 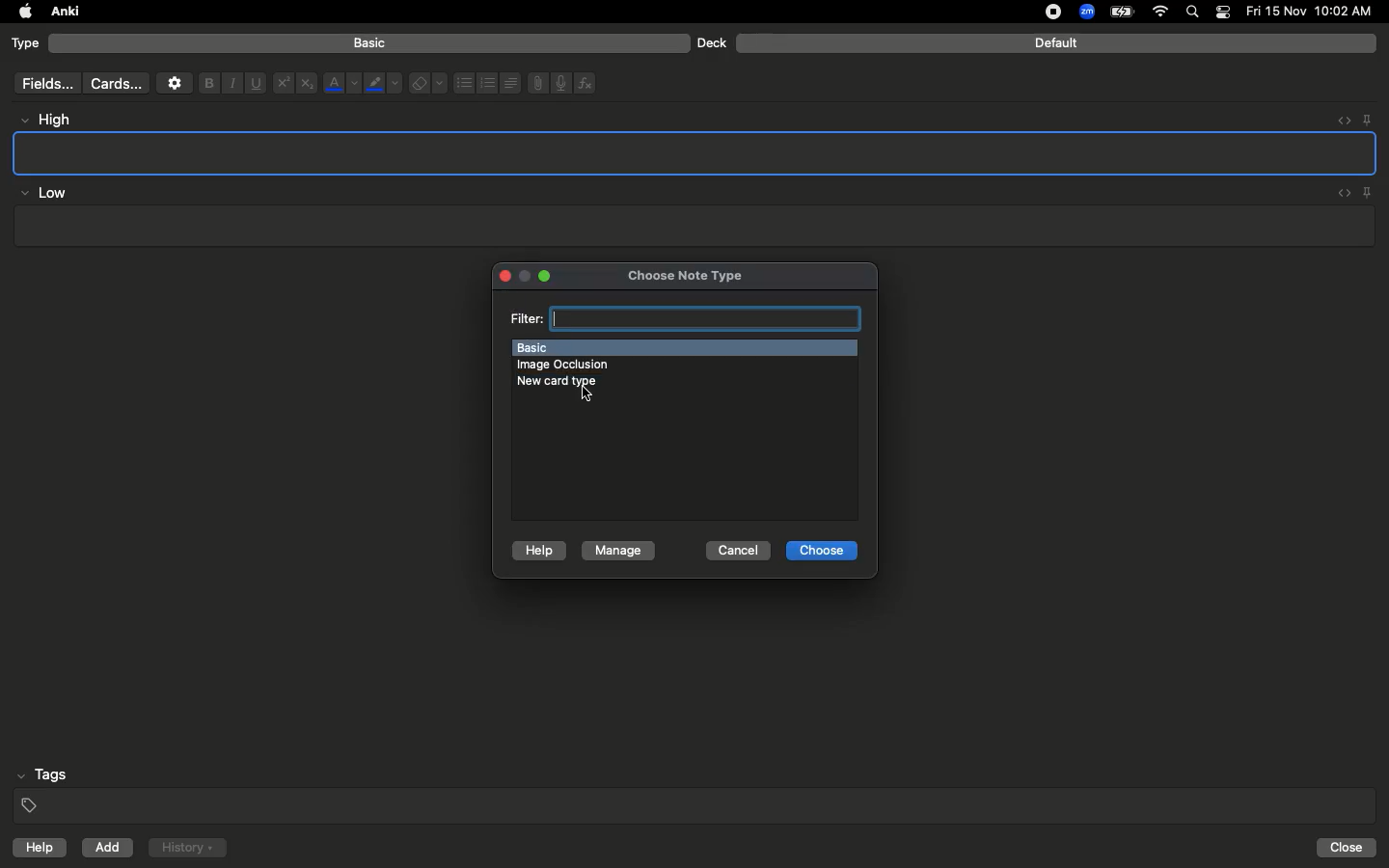 I want to click on Pin, so click(x=1369, y=192).